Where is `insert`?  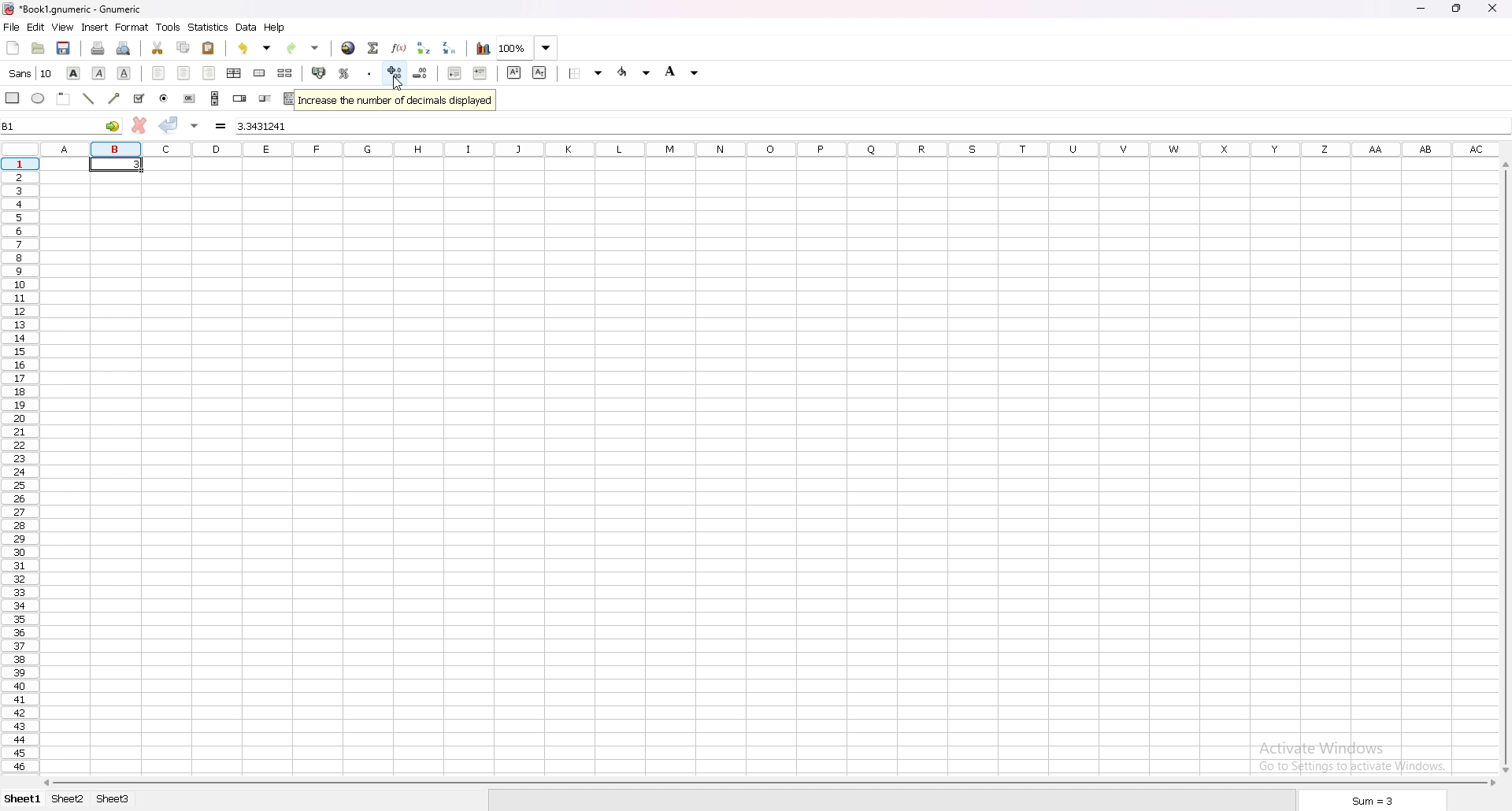 insert is located at coordinates (95, 28).